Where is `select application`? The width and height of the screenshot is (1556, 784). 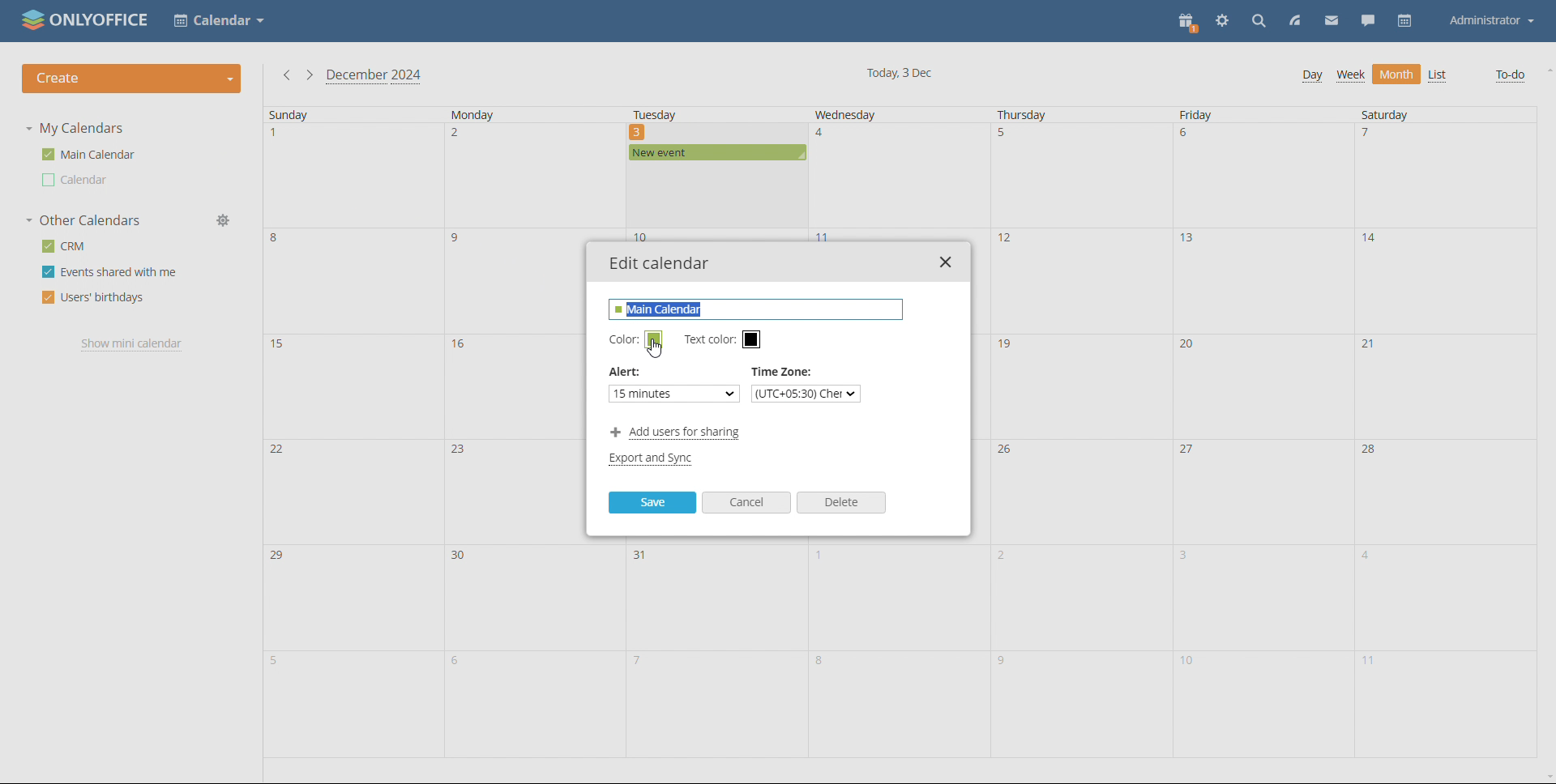 select application is located at coordinates (220, 21).